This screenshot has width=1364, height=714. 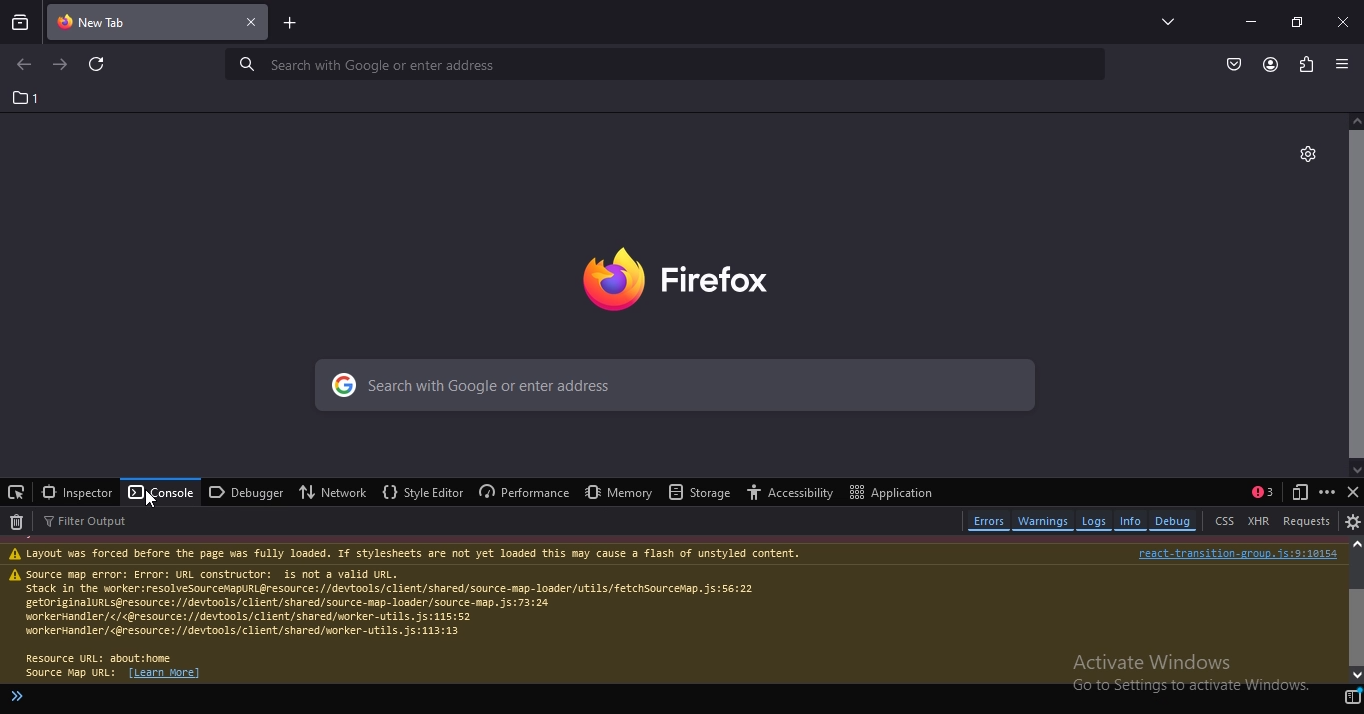 I want to click on errors, so click(x=989, y=521).